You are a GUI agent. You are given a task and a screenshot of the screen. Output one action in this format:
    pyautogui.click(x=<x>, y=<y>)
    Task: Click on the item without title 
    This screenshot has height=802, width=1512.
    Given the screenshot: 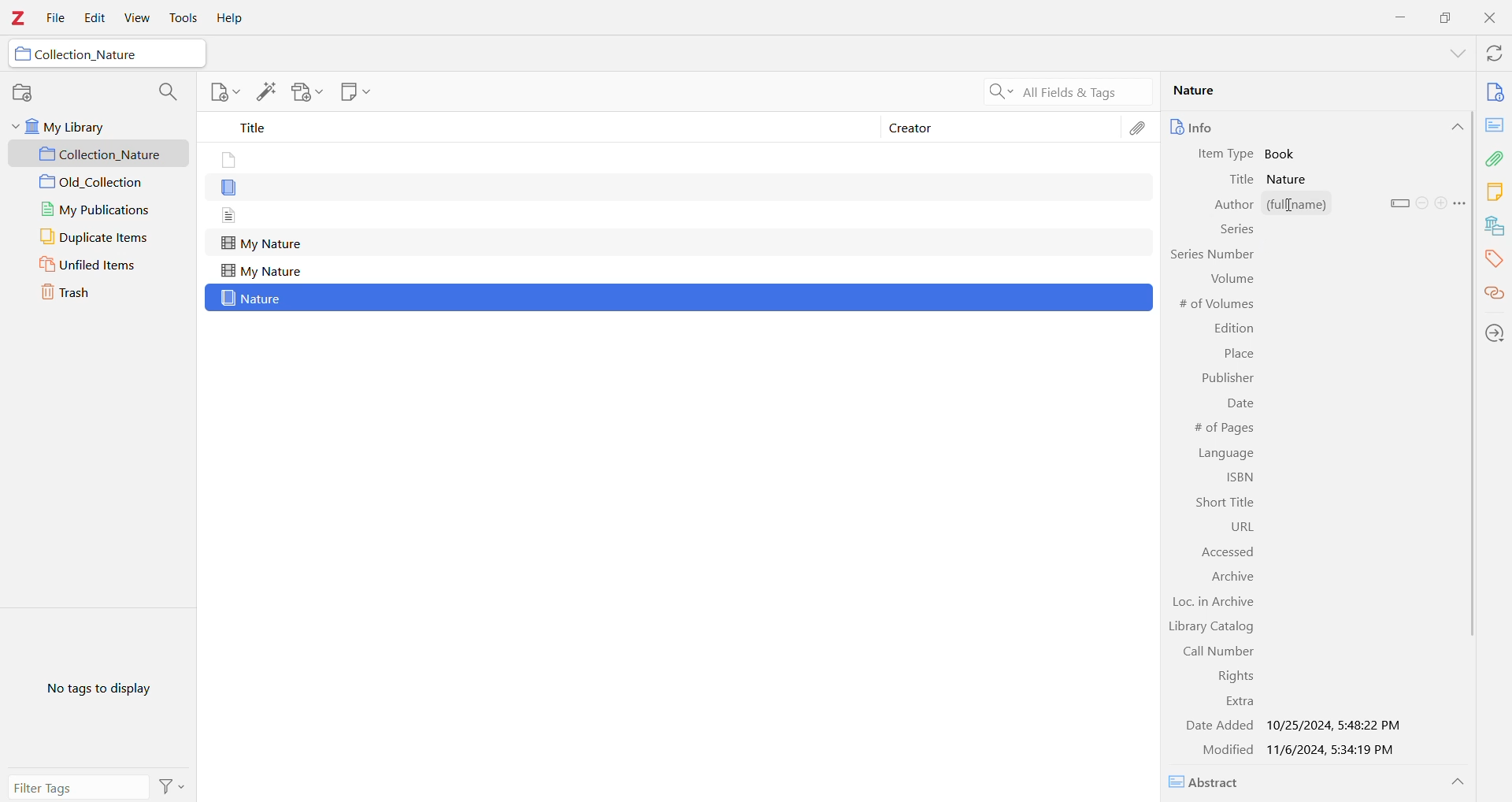 What is the action you would take?
    pyautogui.click(x=227, y=161)
    